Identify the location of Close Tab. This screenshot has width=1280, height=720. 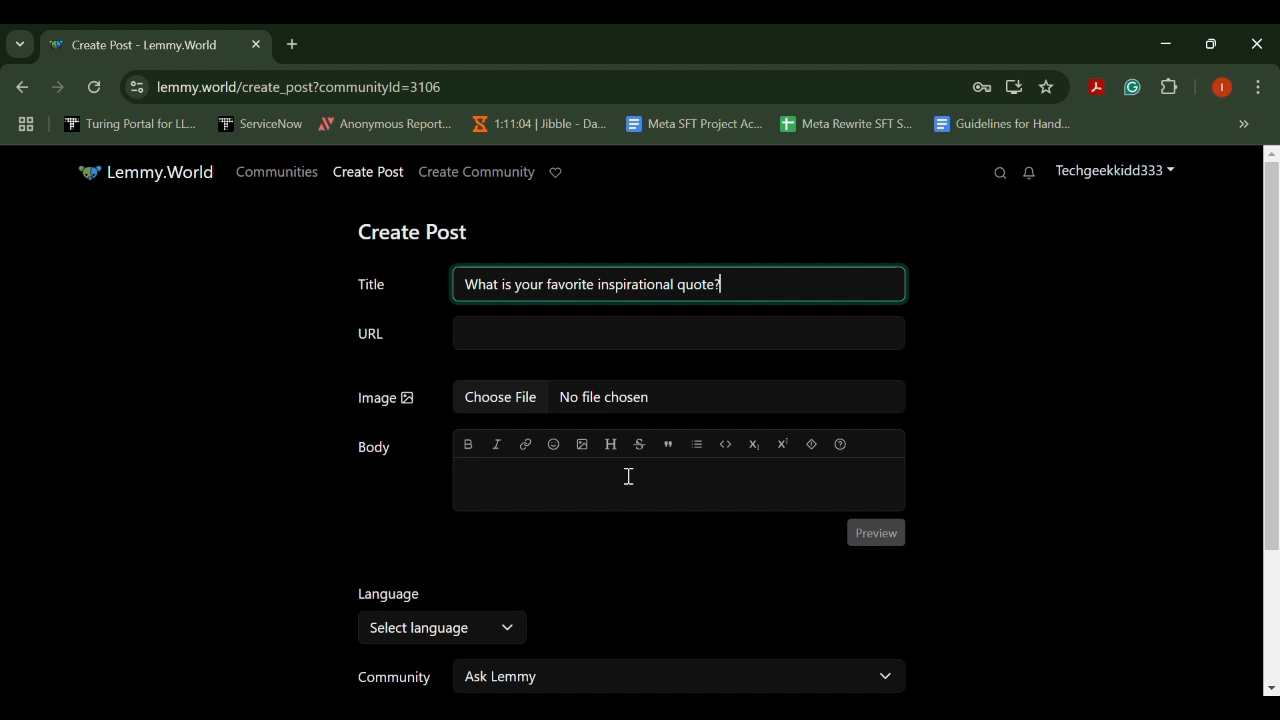
(254, 44).